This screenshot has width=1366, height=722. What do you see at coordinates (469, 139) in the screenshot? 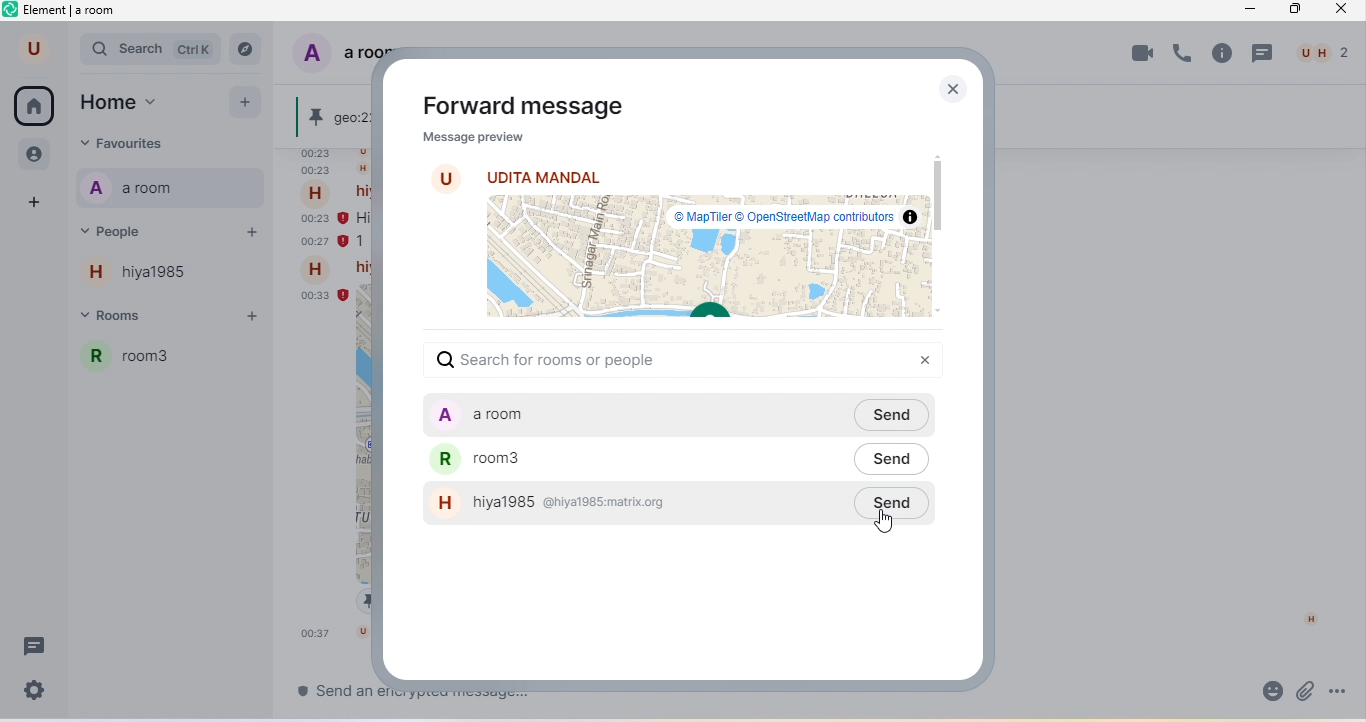
I see `message preview` at bounding box center [469, 139].